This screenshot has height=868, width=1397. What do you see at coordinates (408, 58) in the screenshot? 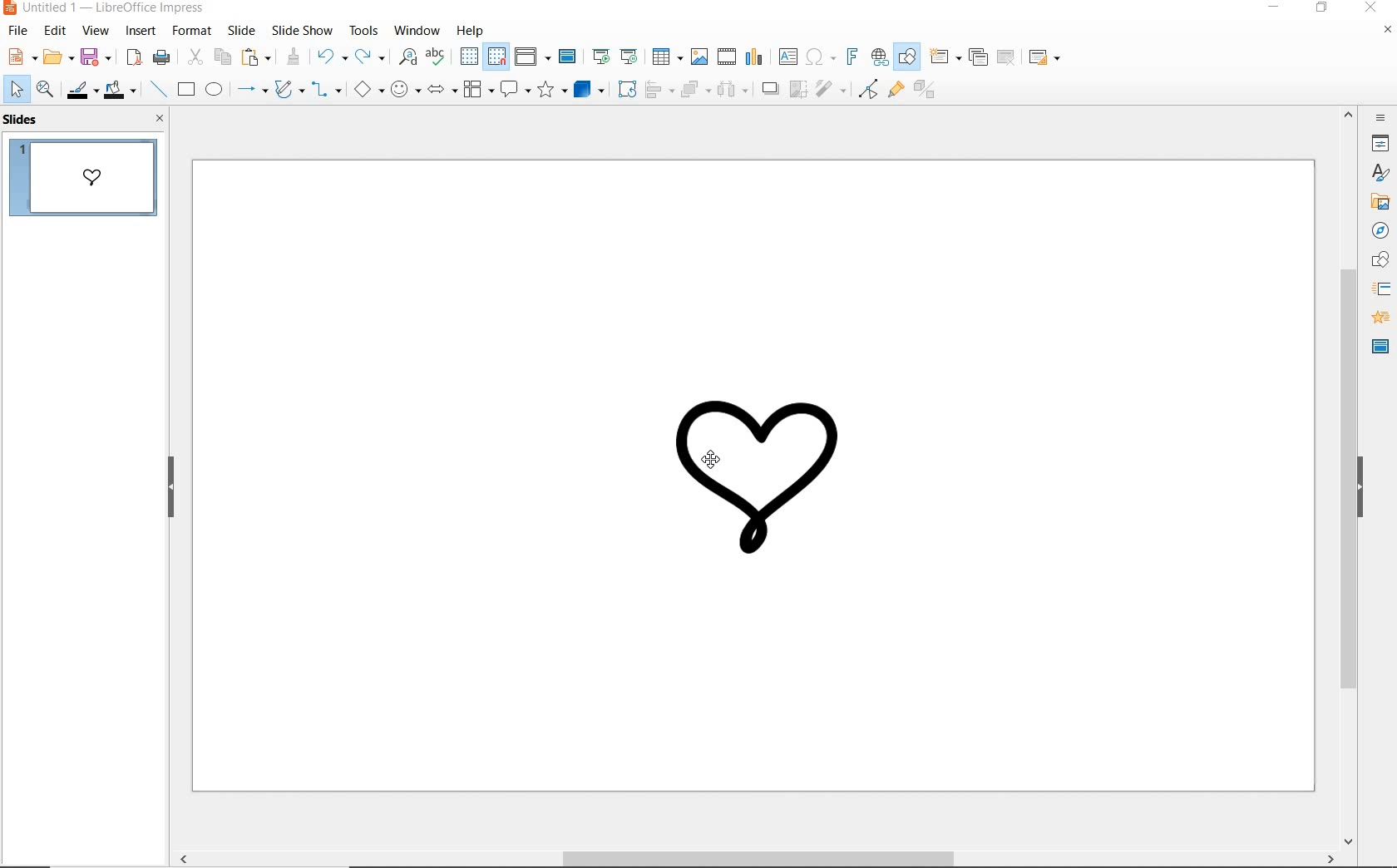
I see `find and replace` at bounding box center [408, 58].